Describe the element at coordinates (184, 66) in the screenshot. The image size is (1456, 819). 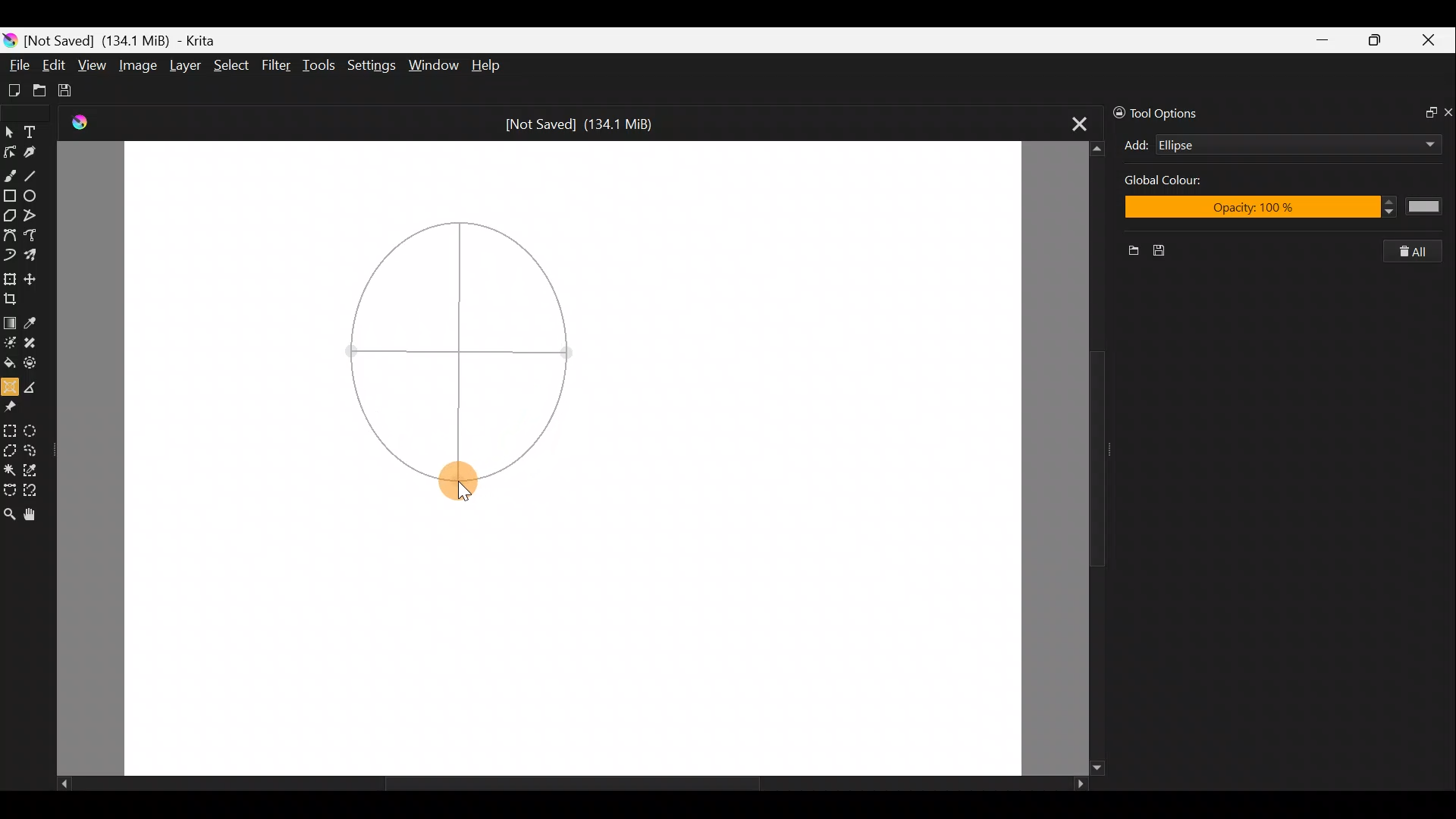
I see `Layer` at that location.